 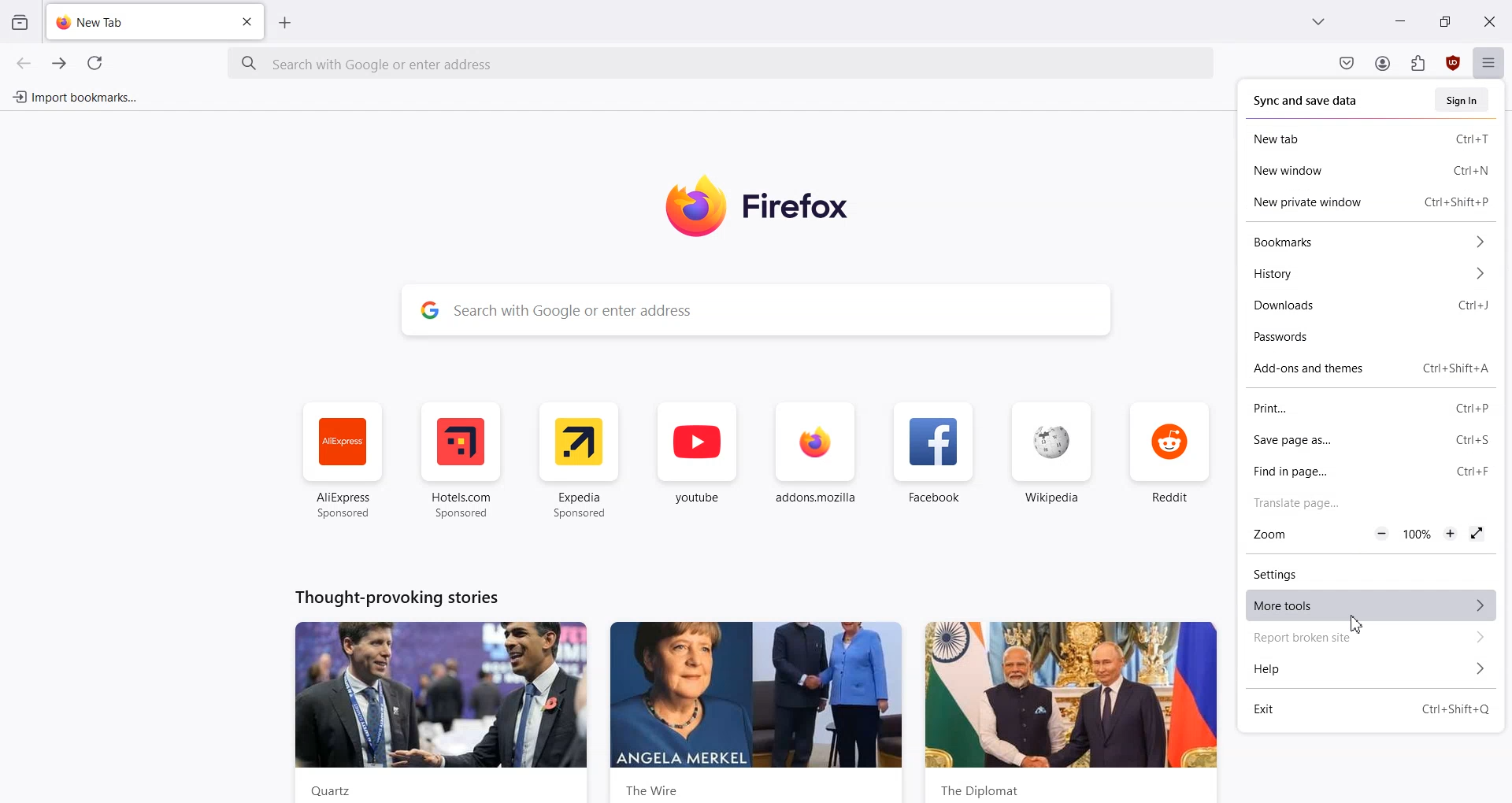 I want to click on New Private window, so click(x=1322, y=201).